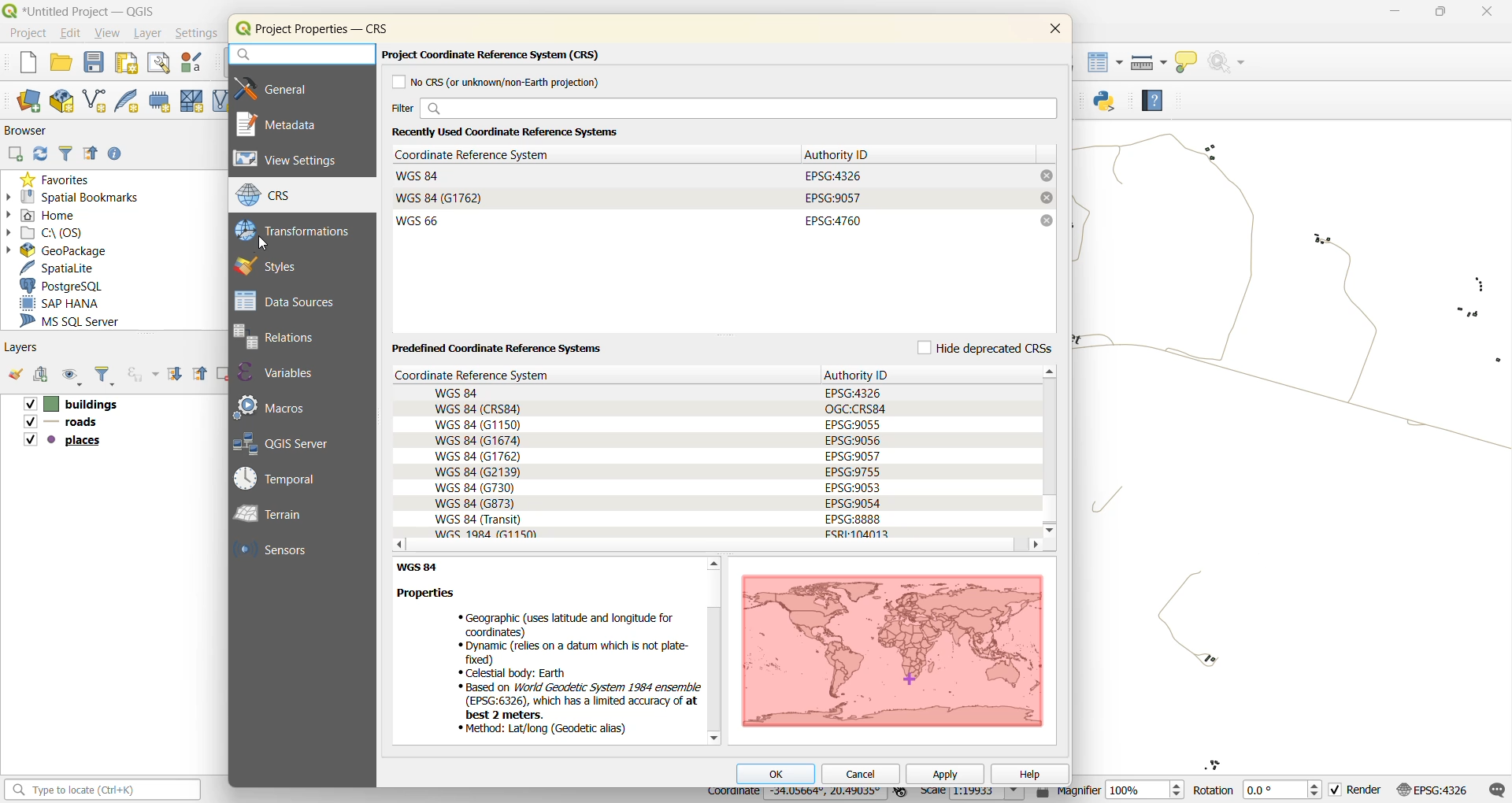 The width and height of the screenshot is (1512, 803). I want to click on c\:os, so click(52, 233).